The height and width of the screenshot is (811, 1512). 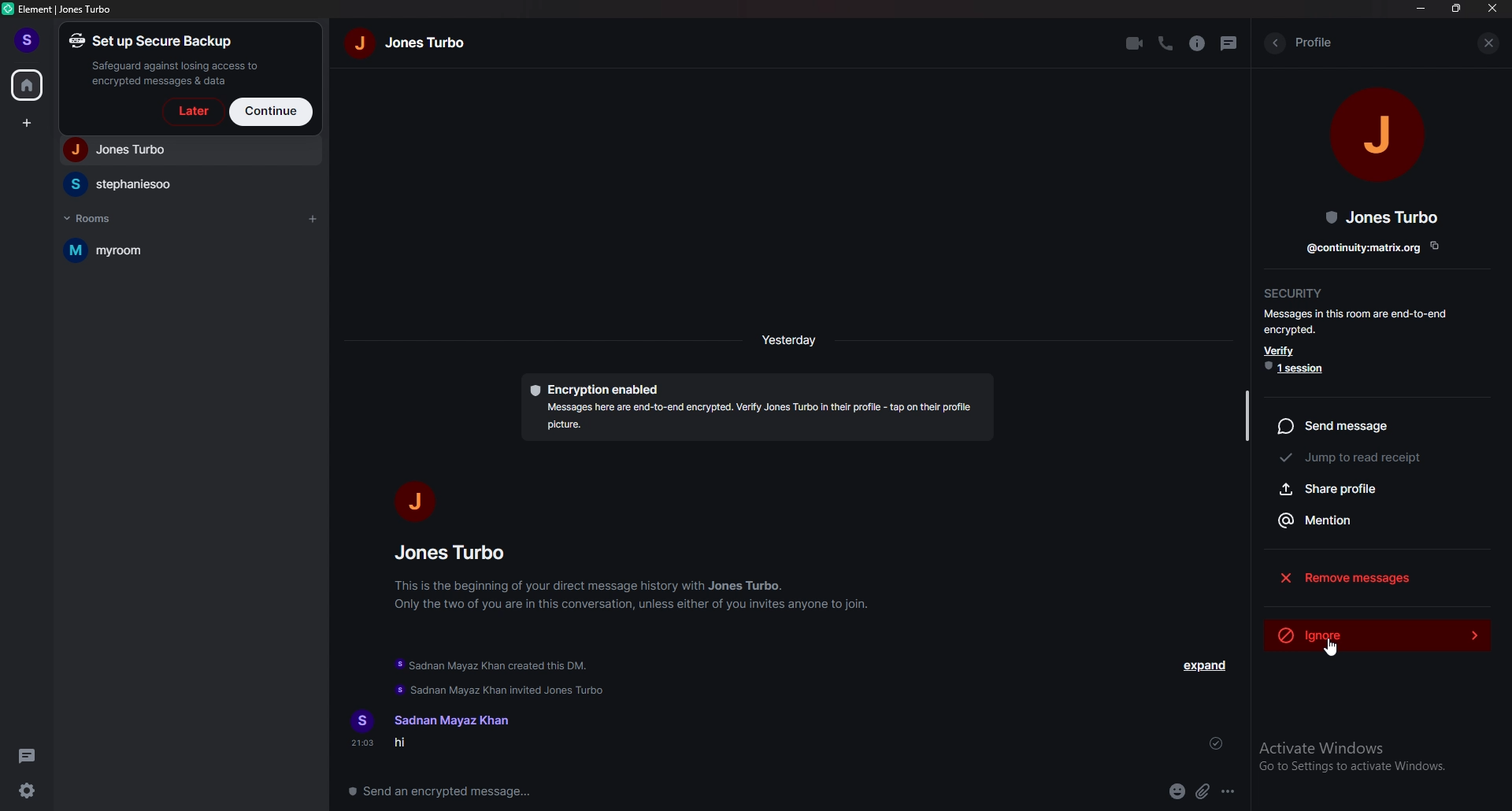 I want to click on continue, so click(x=272, y=111).